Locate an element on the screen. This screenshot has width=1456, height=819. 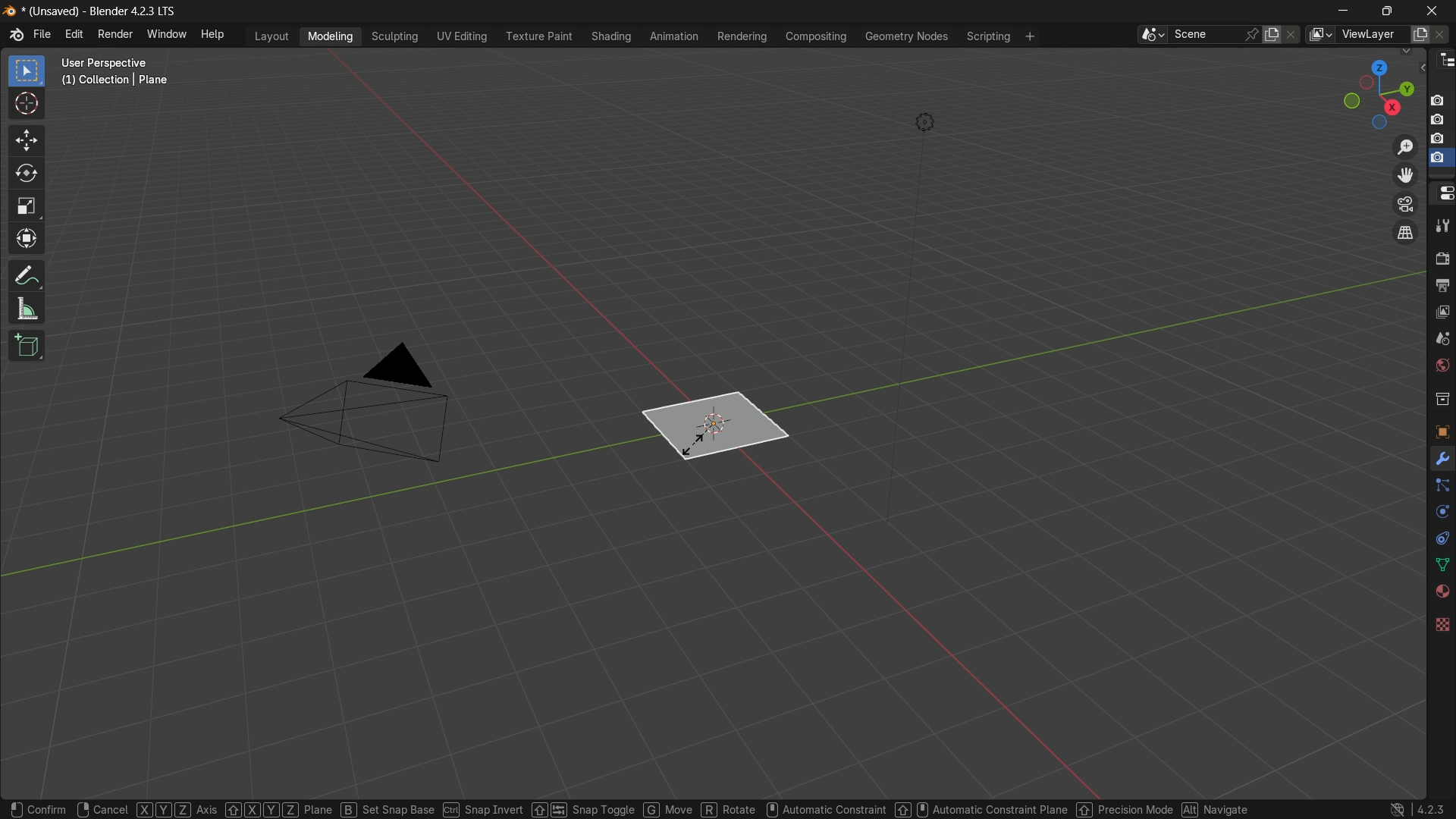
compositing is located at coordinates (815, 37).